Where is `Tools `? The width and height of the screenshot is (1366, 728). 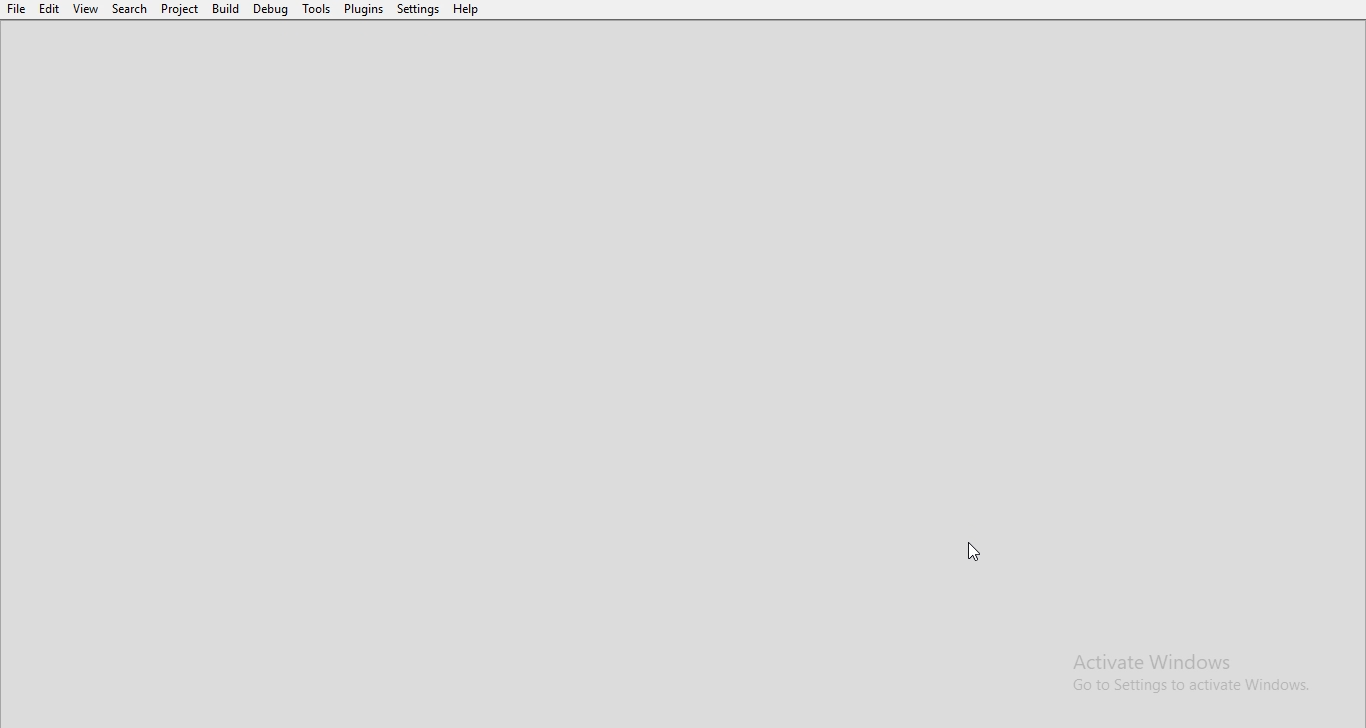 Tools  is located at coordinates (316, 9).